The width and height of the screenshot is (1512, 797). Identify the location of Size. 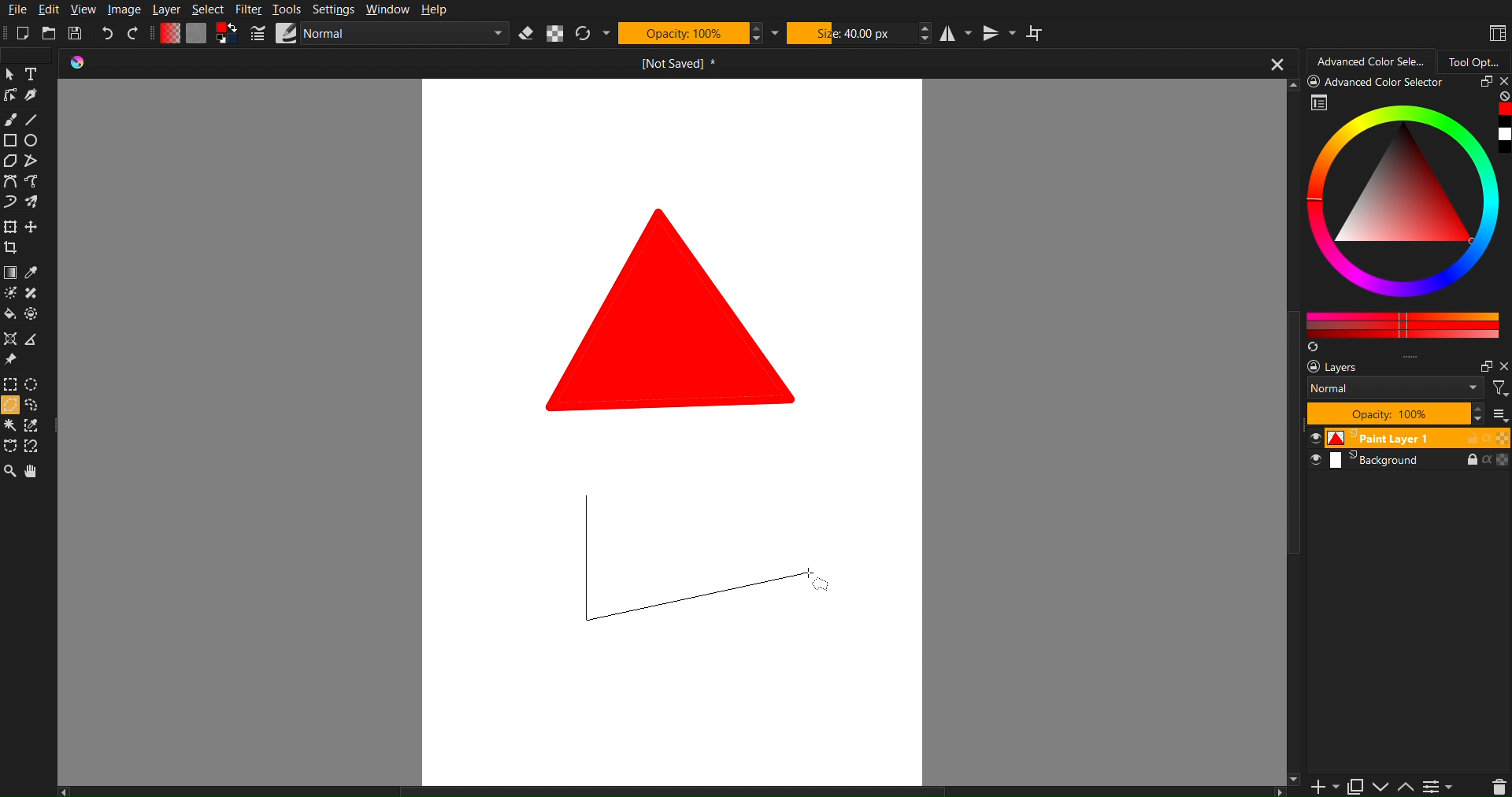
(852, 33).